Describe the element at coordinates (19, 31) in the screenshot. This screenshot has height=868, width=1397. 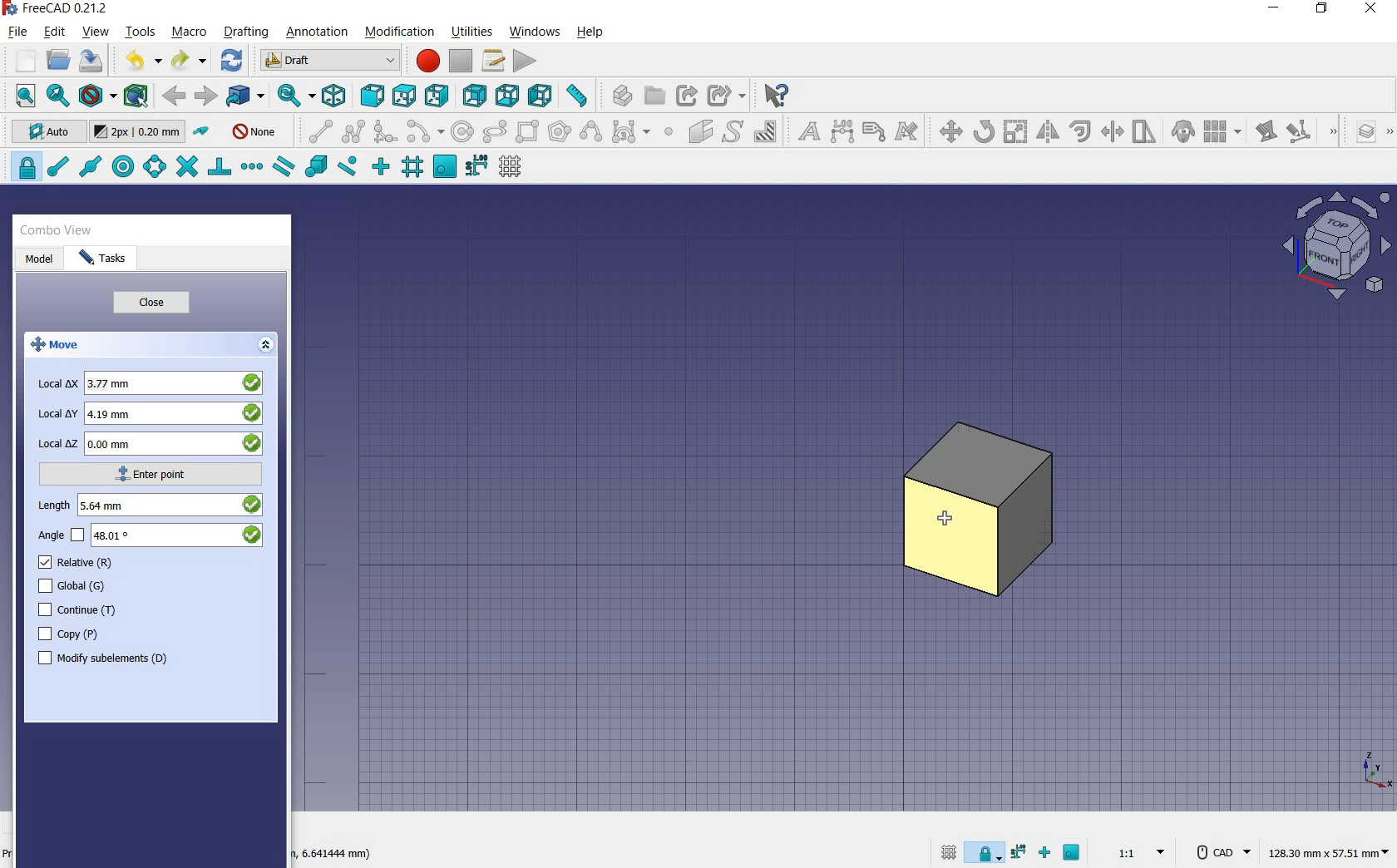
I see `file` at that location.